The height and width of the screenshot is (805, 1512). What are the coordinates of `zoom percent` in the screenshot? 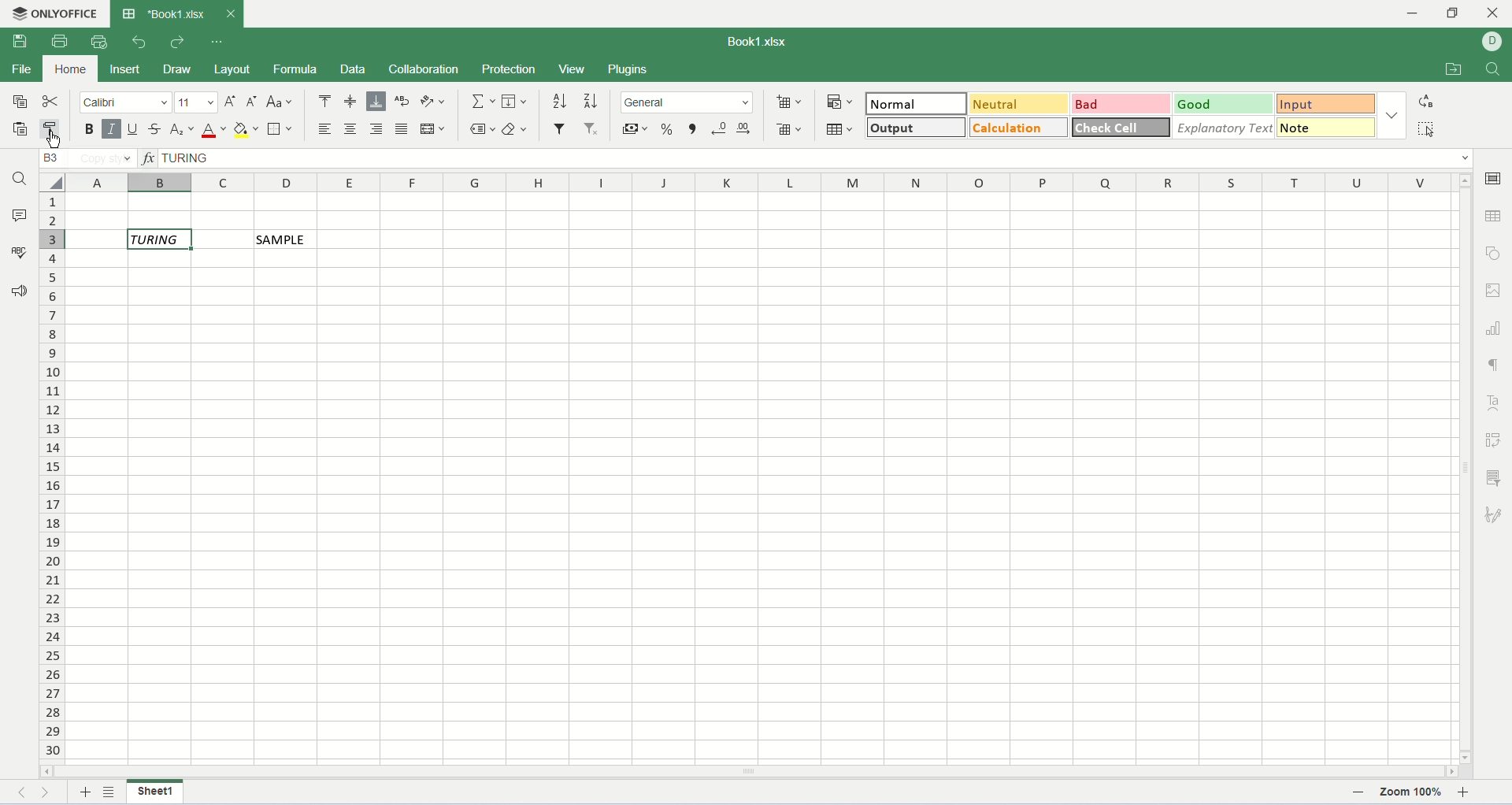 It's located at (1412, 795).